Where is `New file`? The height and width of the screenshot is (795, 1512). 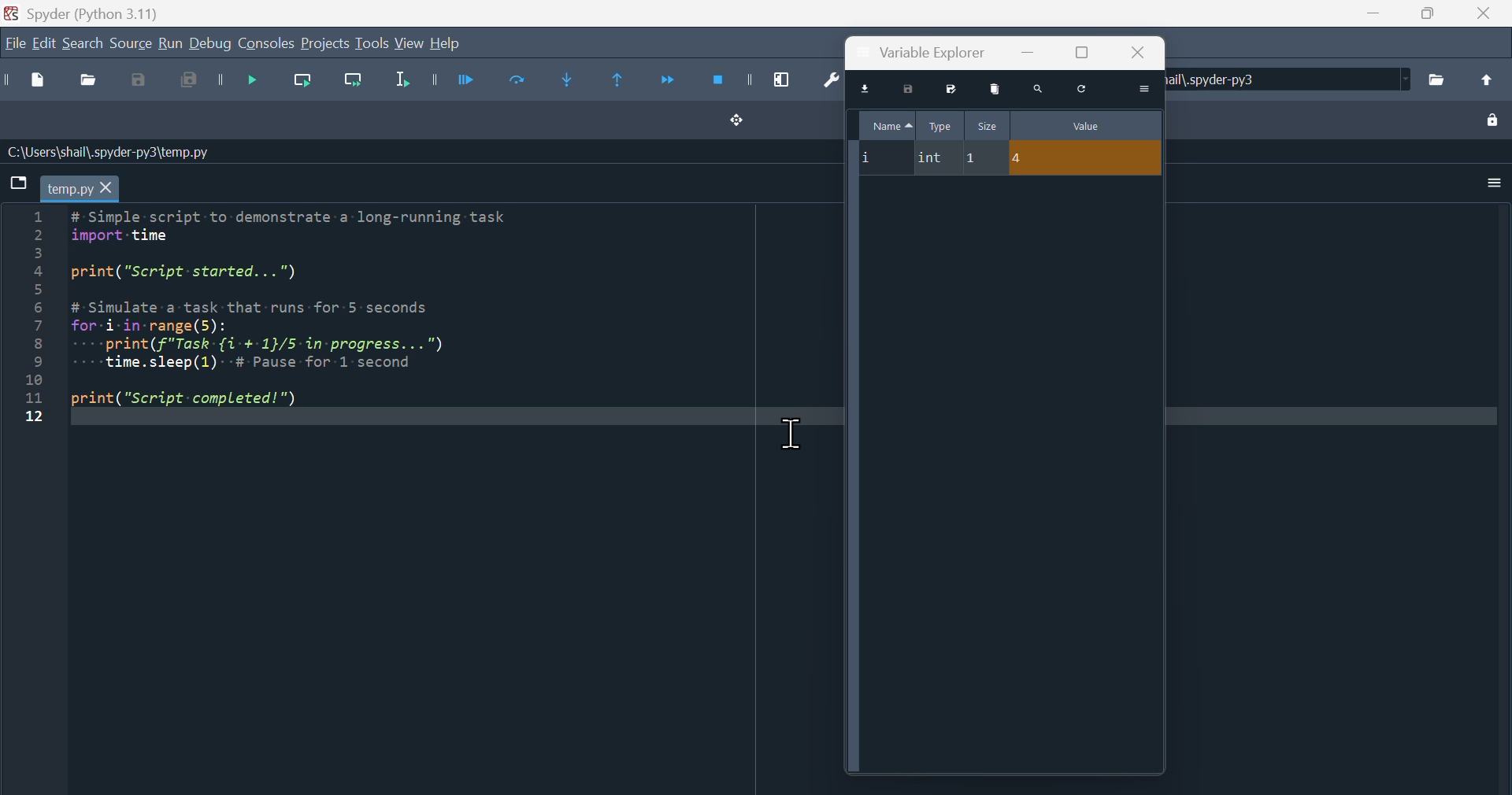
New file is located at coordinates (29, 80).